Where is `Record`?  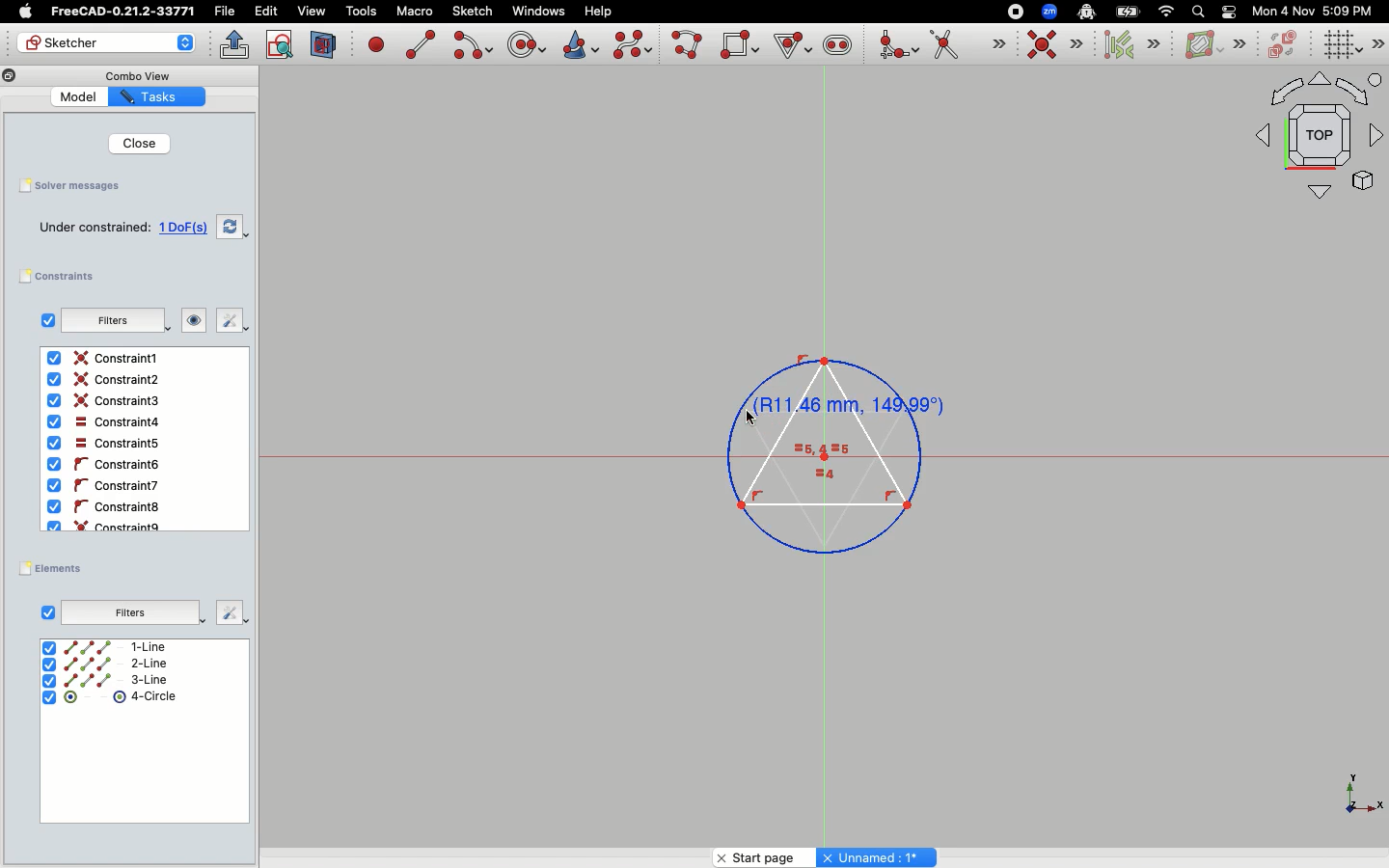 Record is located at coordinates (1013, 11).